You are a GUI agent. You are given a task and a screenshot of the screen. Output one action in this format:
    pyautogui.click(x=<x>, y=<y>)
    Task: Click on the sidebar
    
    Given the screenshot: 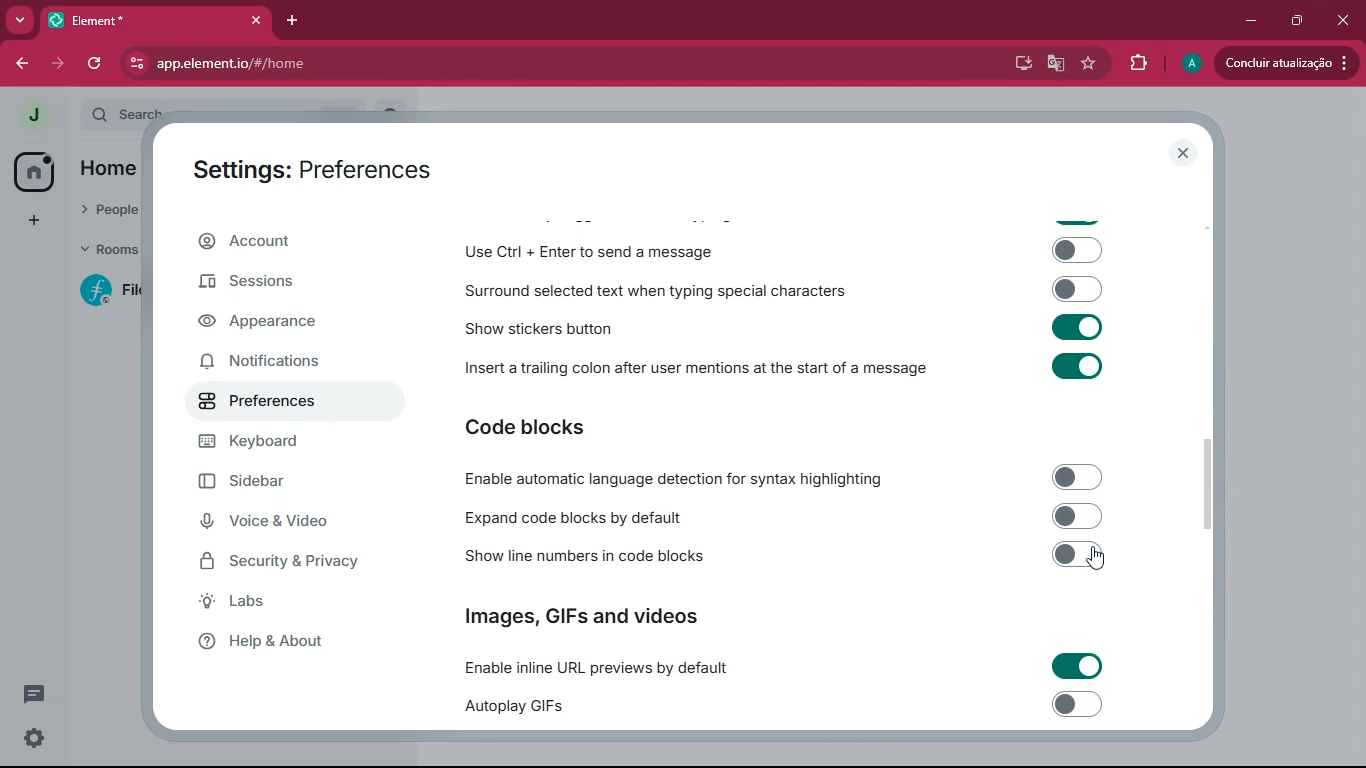 What is the action you would take?
    pyautogui.click(x=278, y=482)
    